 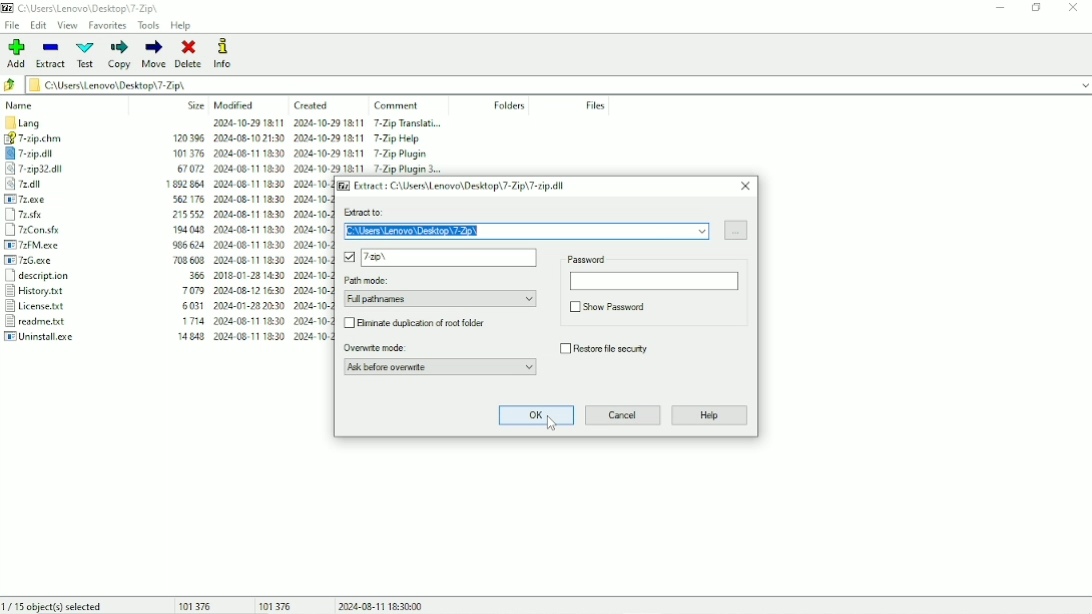 What do you see at coordinates (155, 54) in the screenshot?
I see `Move` at bounding box center [155, 54].